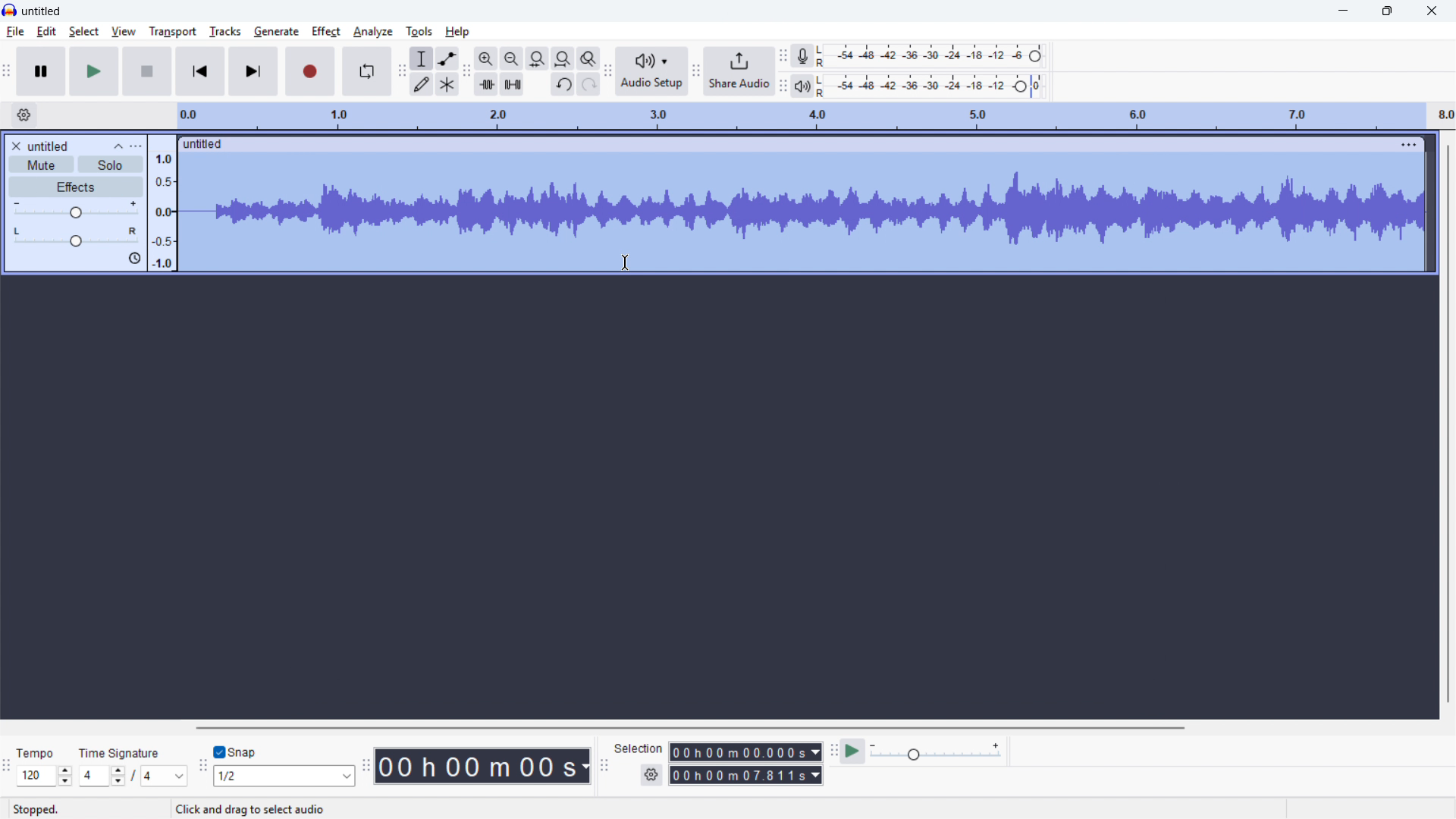  Describe the element at coordinates (42, 71) in the screenshot. I see `pause` at that location.